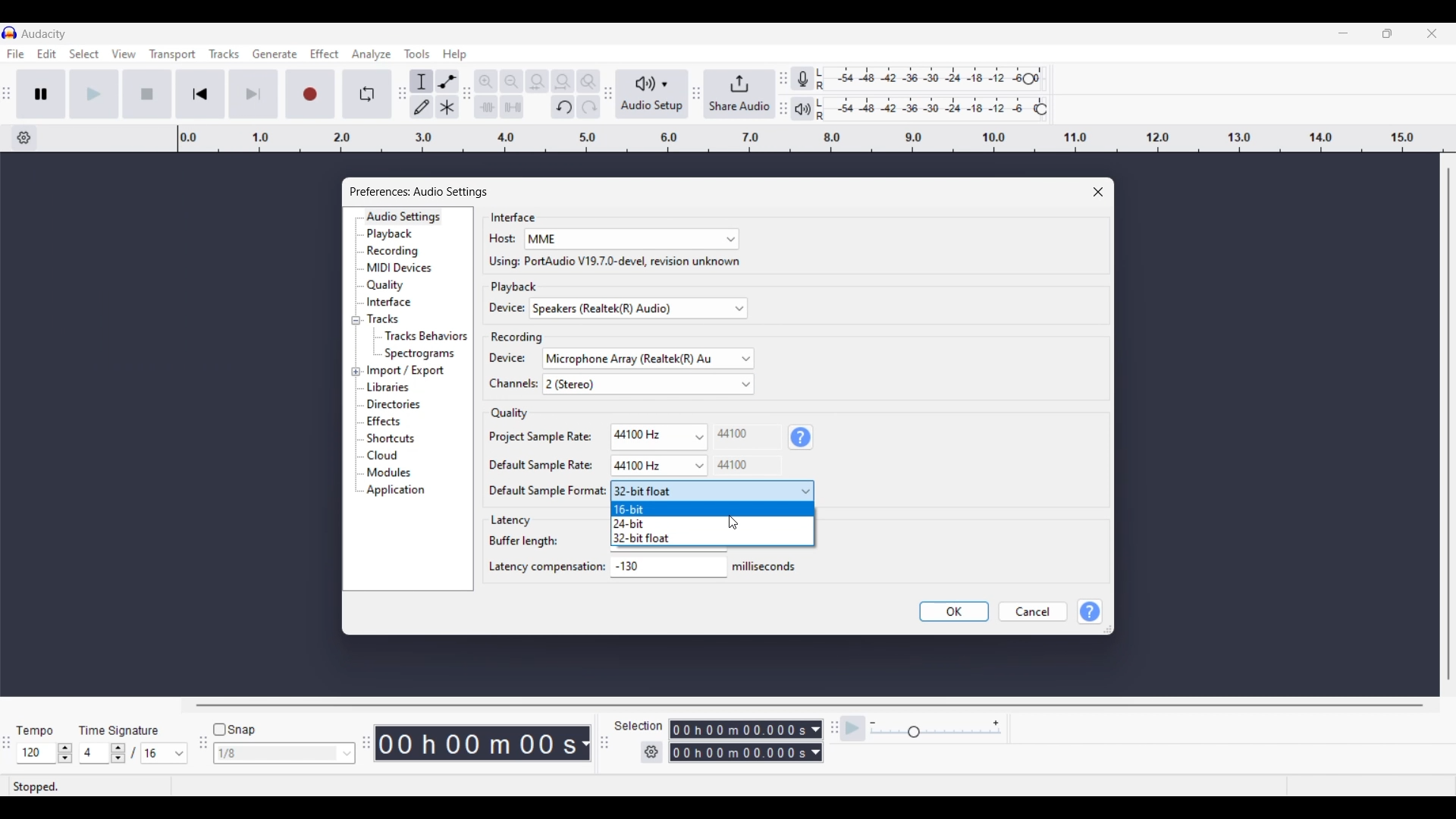 The height and width of the screenshot is (819, 1456). Describe the element at coordinates (24, 138) in the screenshot. I see `Timeline options` at that location.